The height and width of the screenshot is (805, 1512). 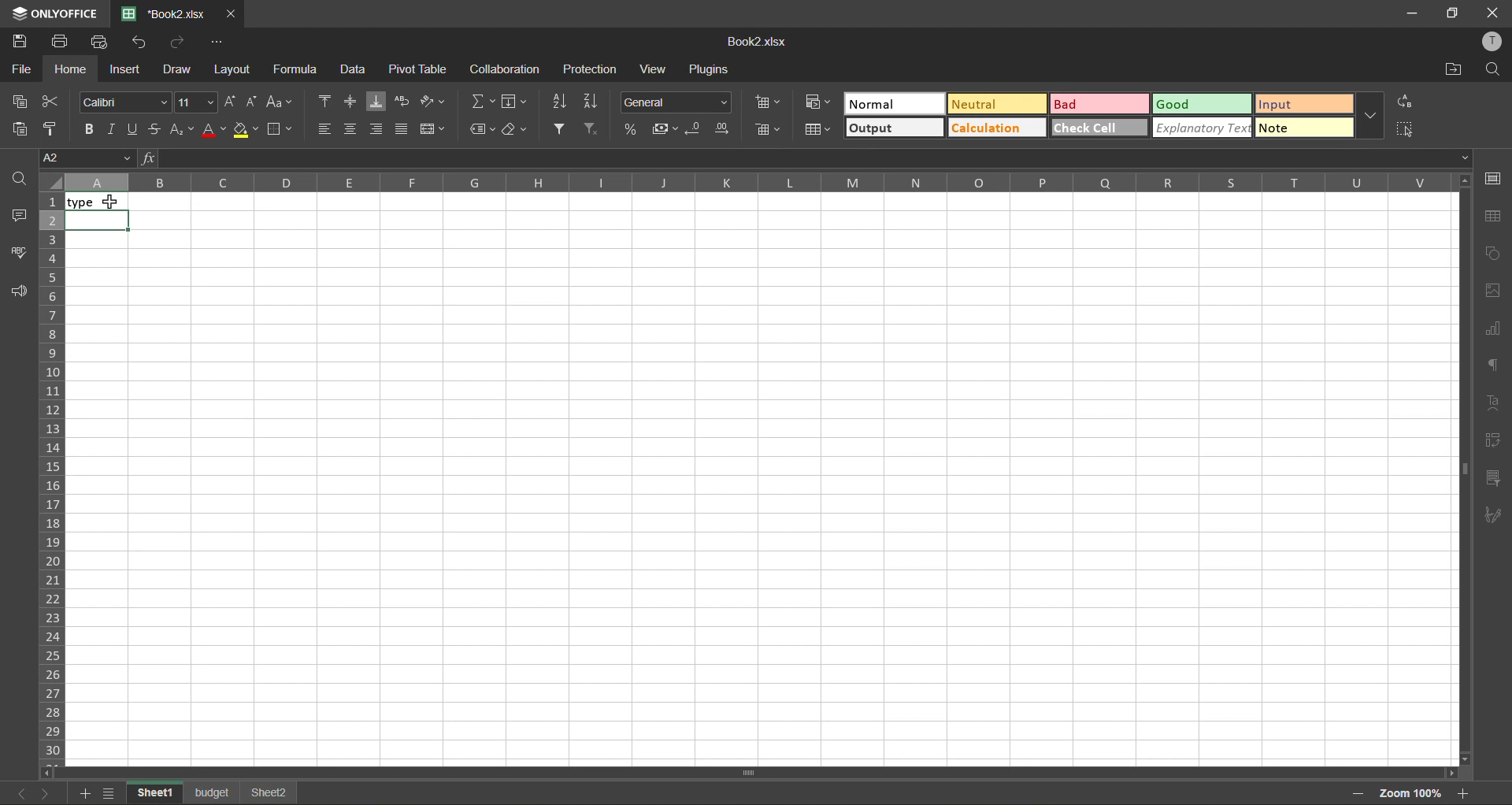 I want to click on output, so click(x=893, y=128).